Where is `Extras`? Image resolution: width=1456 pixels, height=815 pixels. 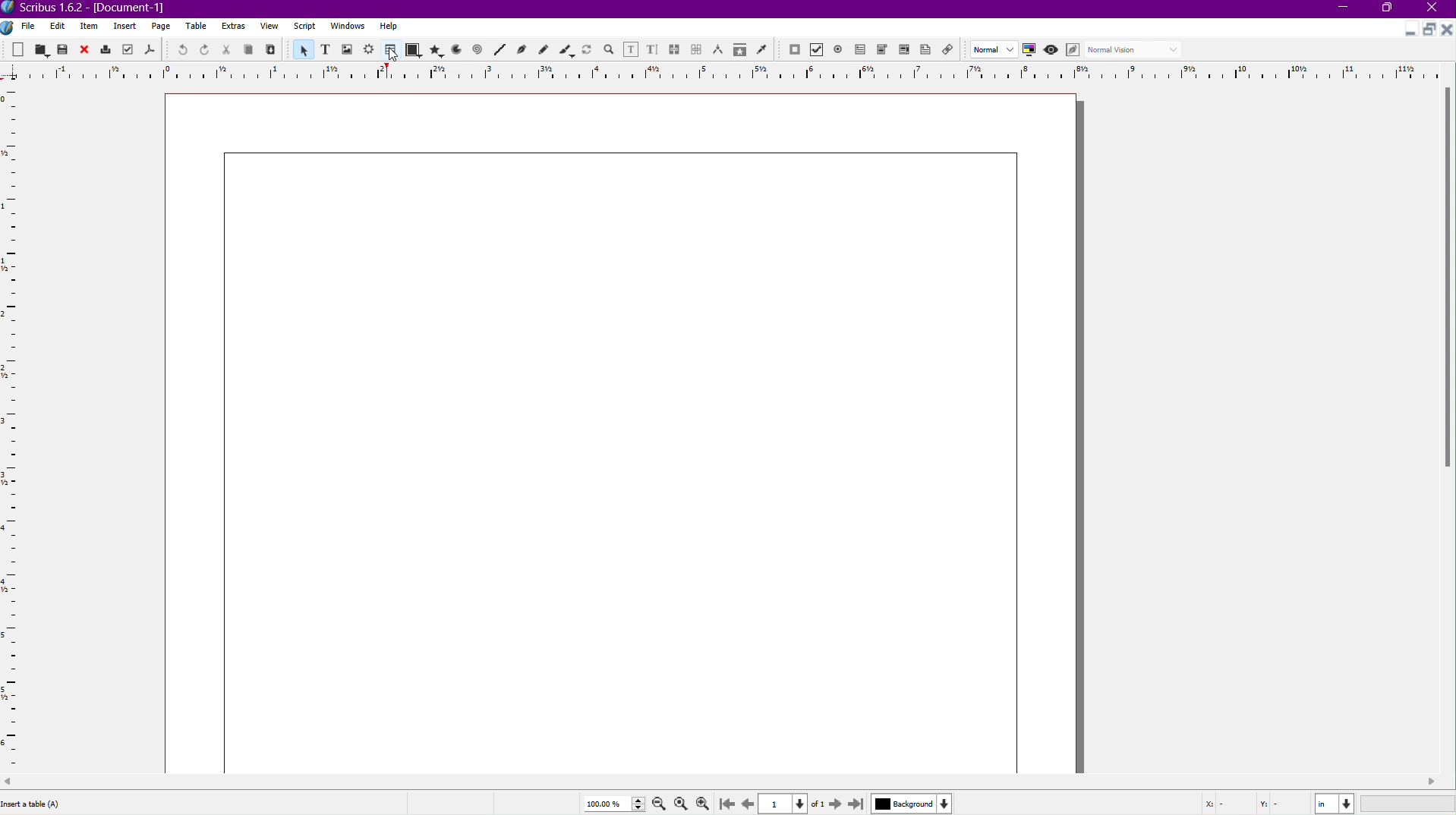 Extras is located at coordinates (235, 27).